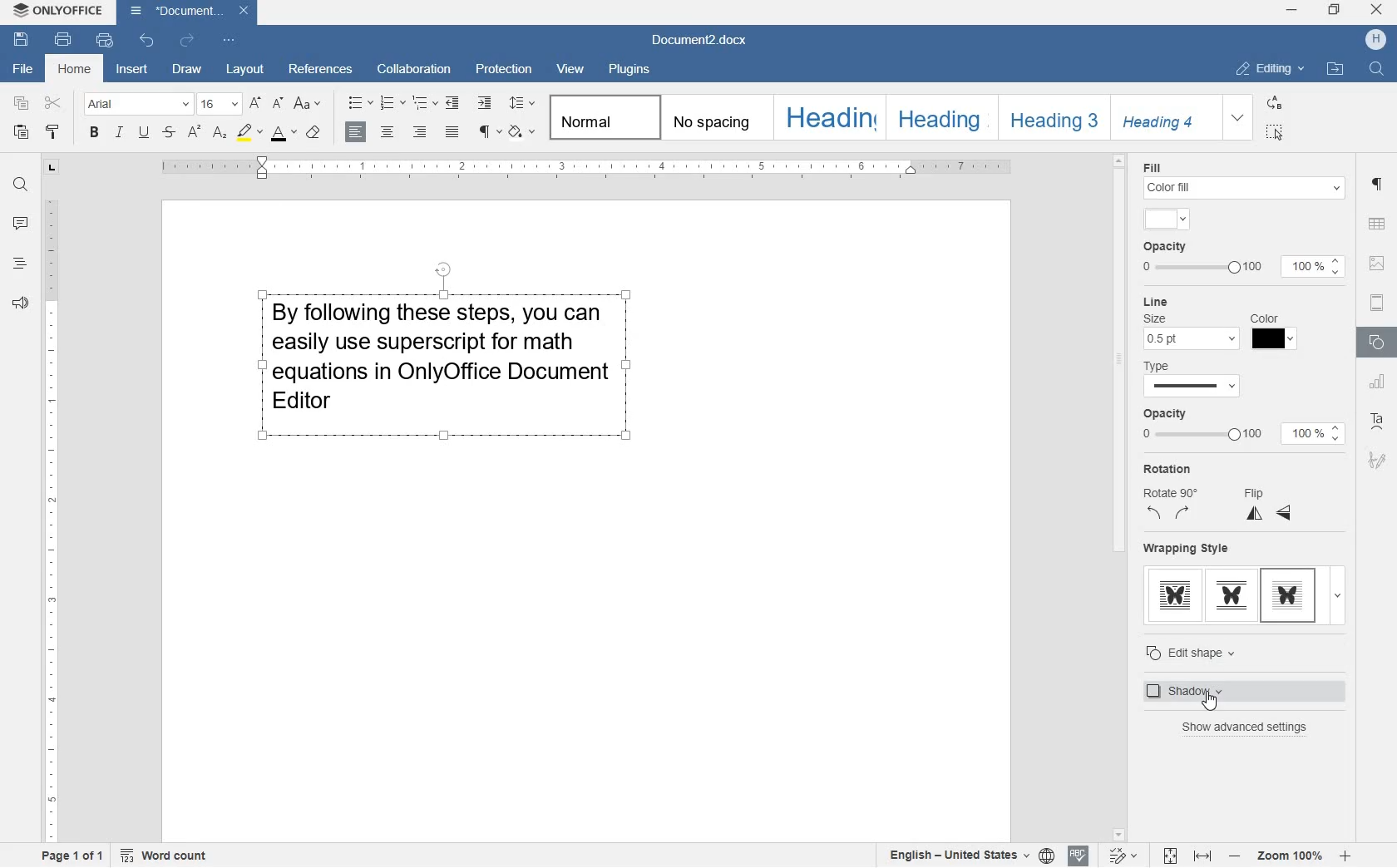  Describe the element at coordinates (22, 104) in the screenshot. I see `copy` at that location.